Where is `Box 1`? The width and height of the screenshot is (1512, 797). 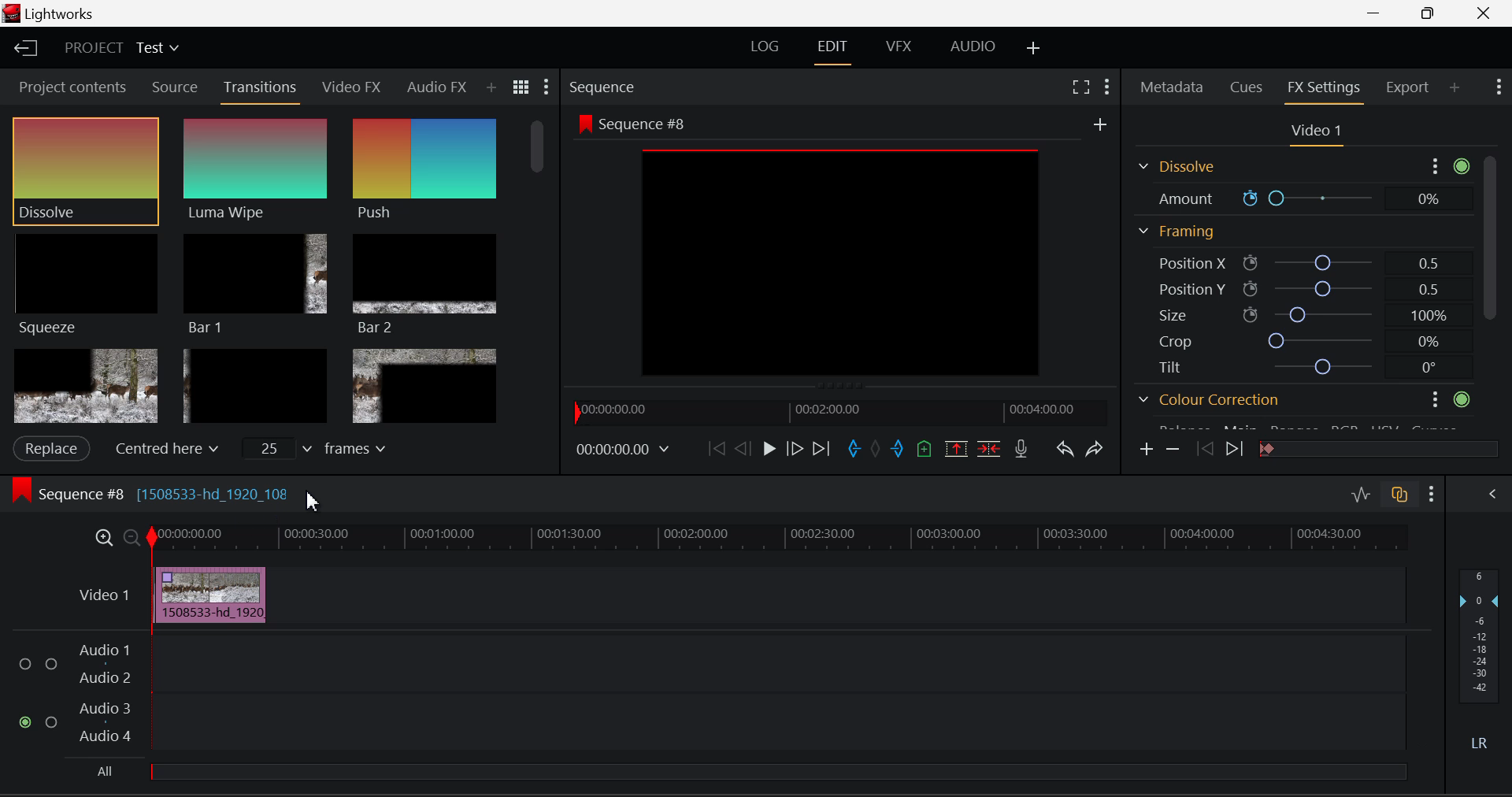
Box 1 is located at coordinates (84, 384).